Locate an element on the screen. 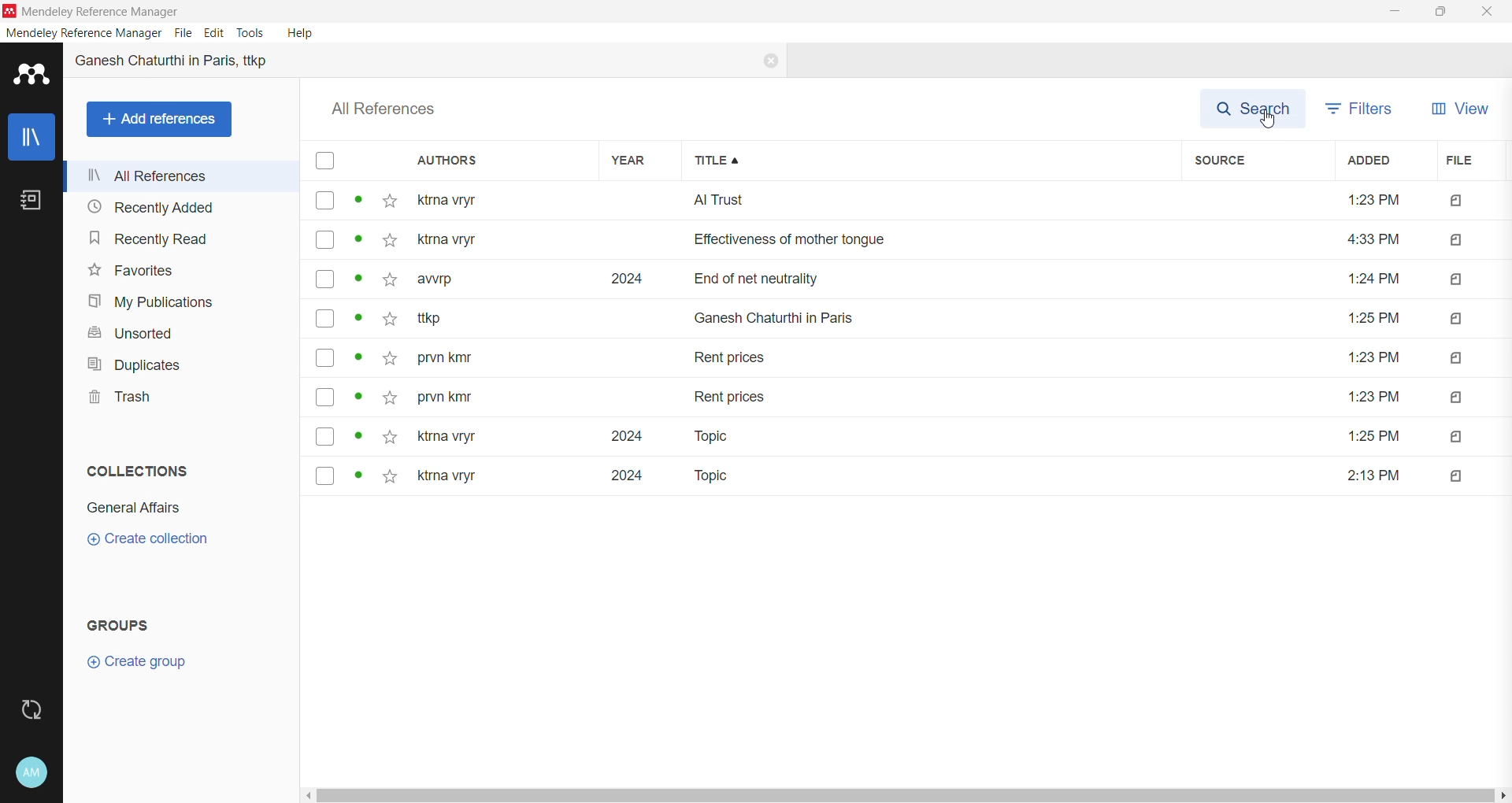 The image size is (1512, 803). file type is located at coordinates (1455, 281).